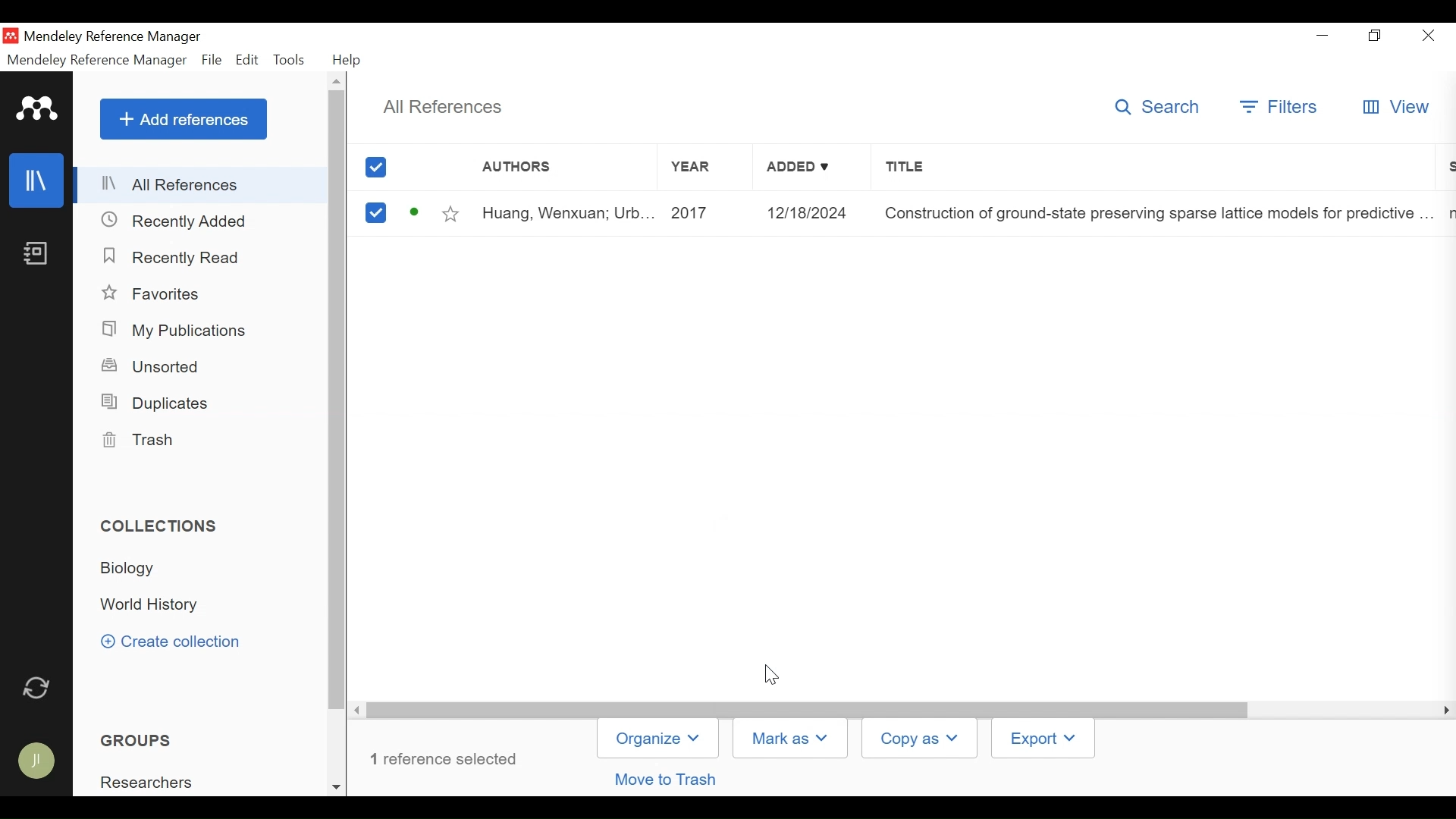  Describe the element at coordinates (131, 570) in the screenshot. I see `Collection` at that location.